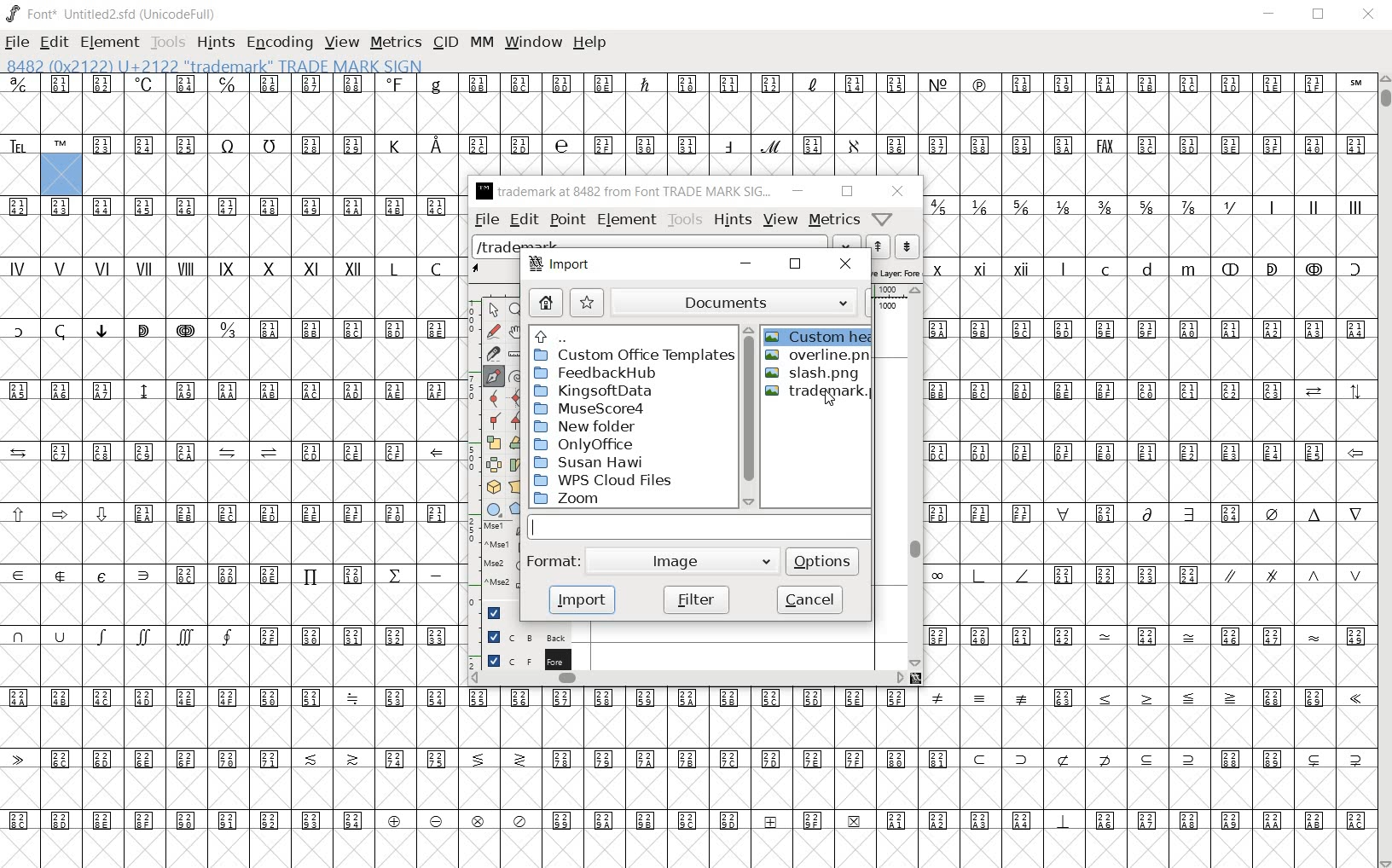 The height and width of the screenshot is (868, 1392). Describe the element at coordinates (567, 219) in the screenshot. I see `point` at that location.